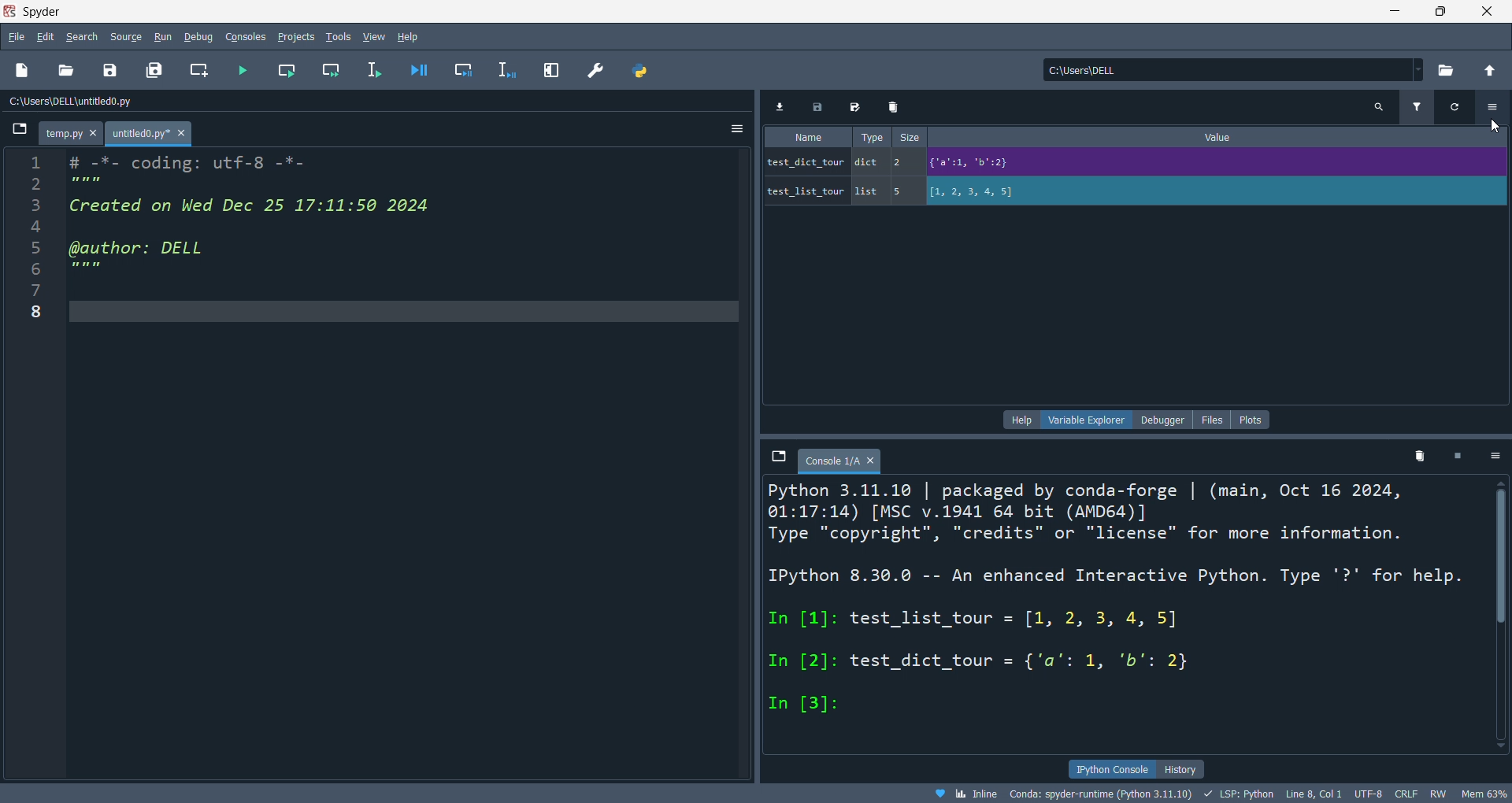 Image resolution: width=1512 pixels, height=803 pixels. Describe the element at coordinates (331, 71) in the screenshot. I see `run cell and move` at that location.